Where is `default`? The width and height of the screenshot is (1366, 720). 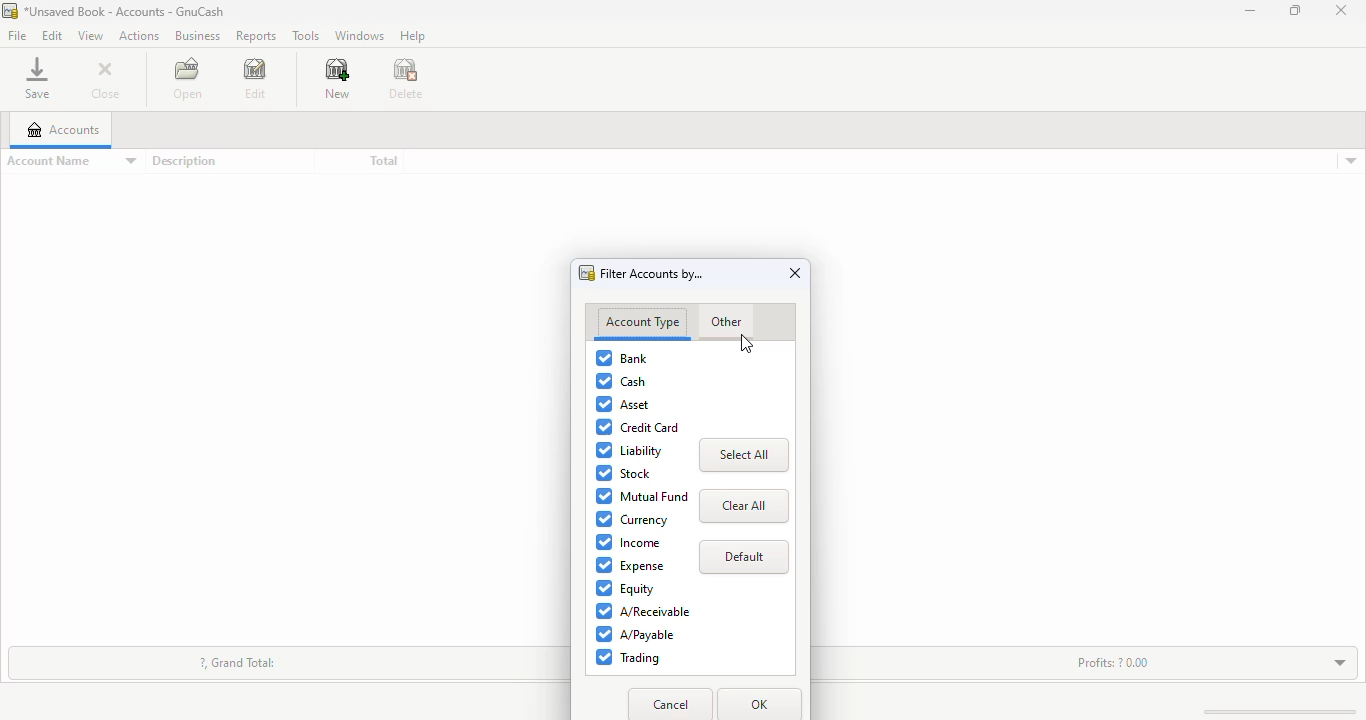 default is located at coordinates (744, 557).